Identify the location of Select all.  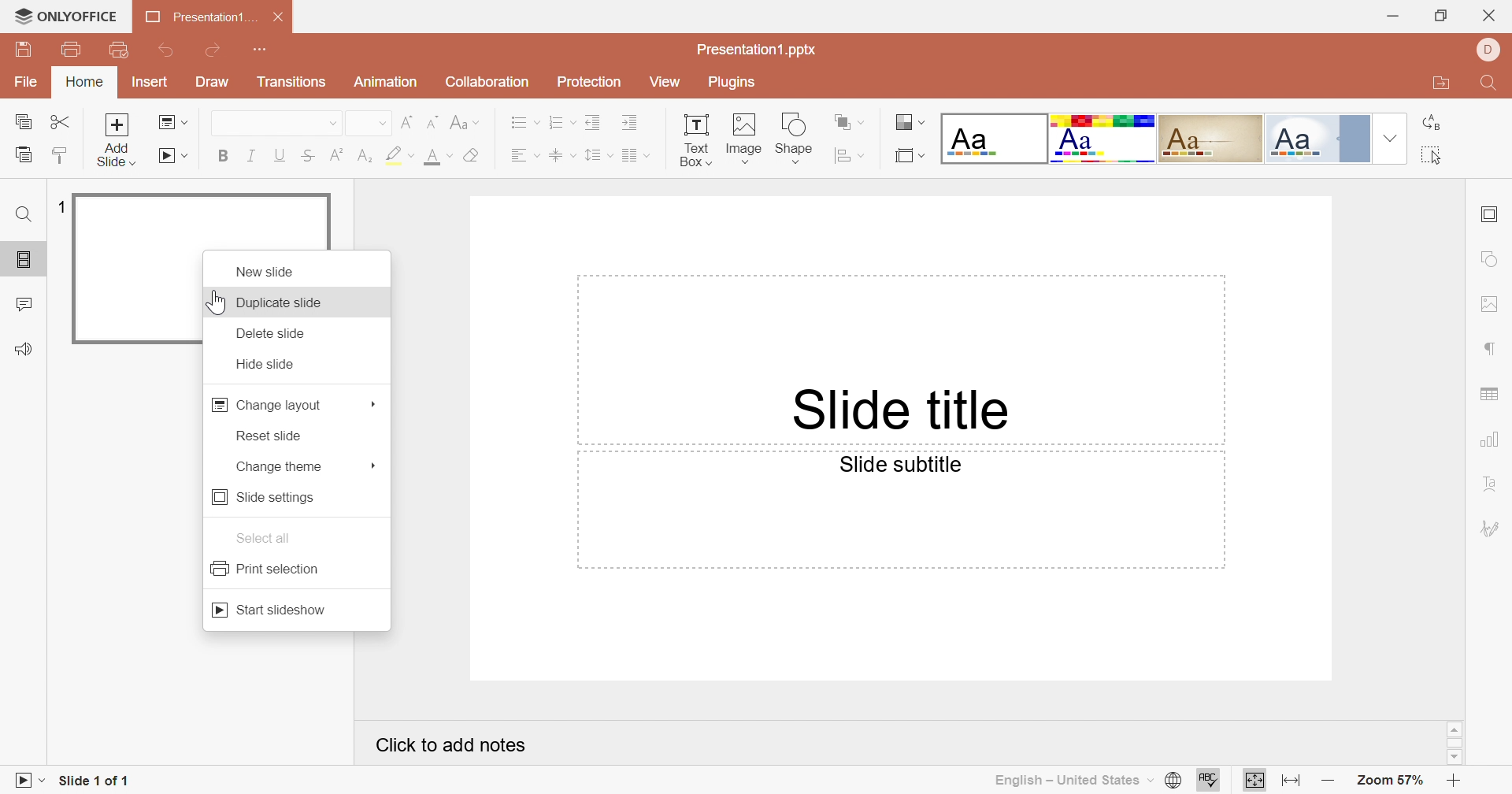
(1435, 157).